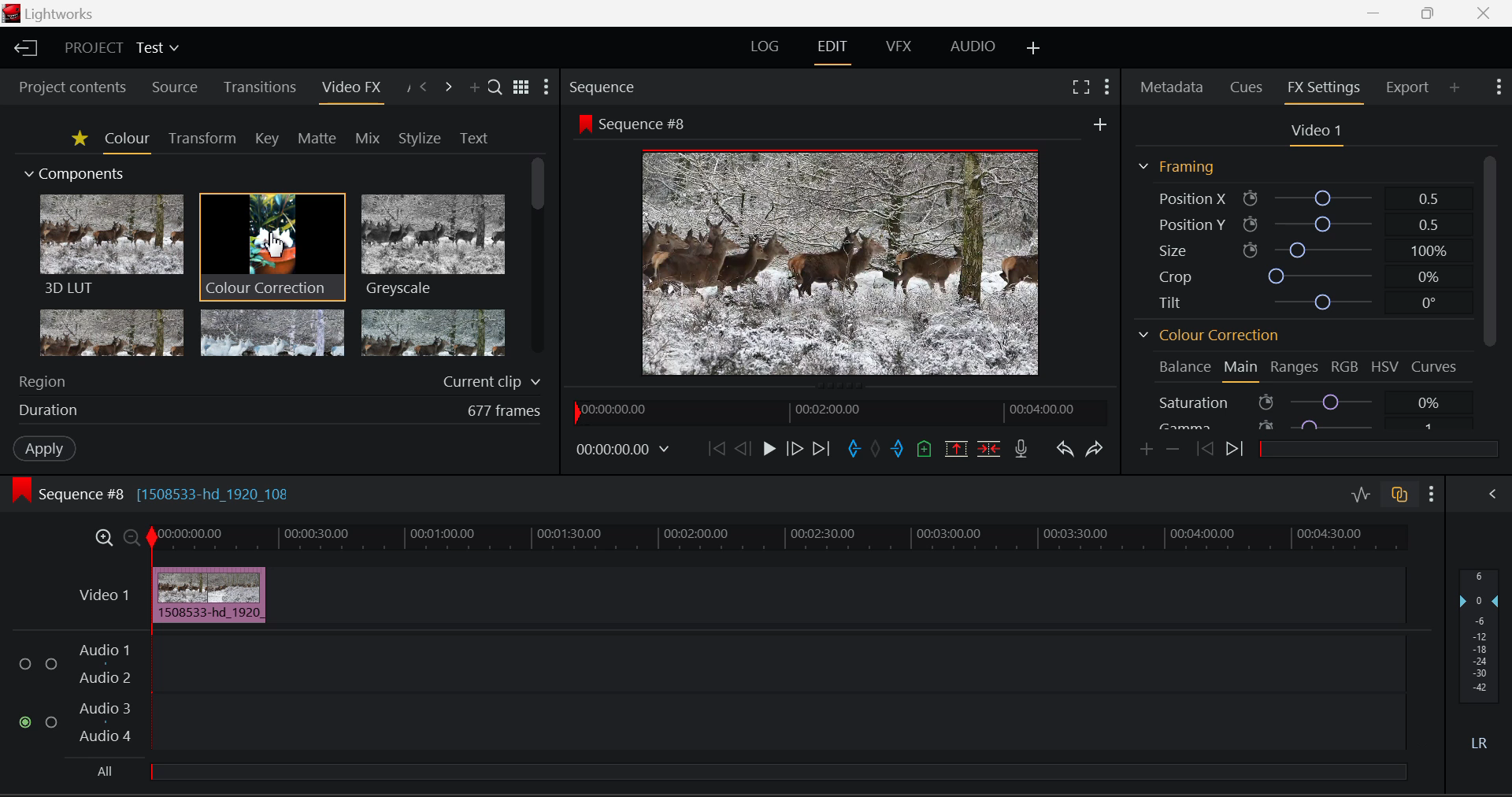 The height and width of the screenshot is (797, 1512). Describe the element at coordinates (46, 448) in the screenshot. I see `Apply` at that location.